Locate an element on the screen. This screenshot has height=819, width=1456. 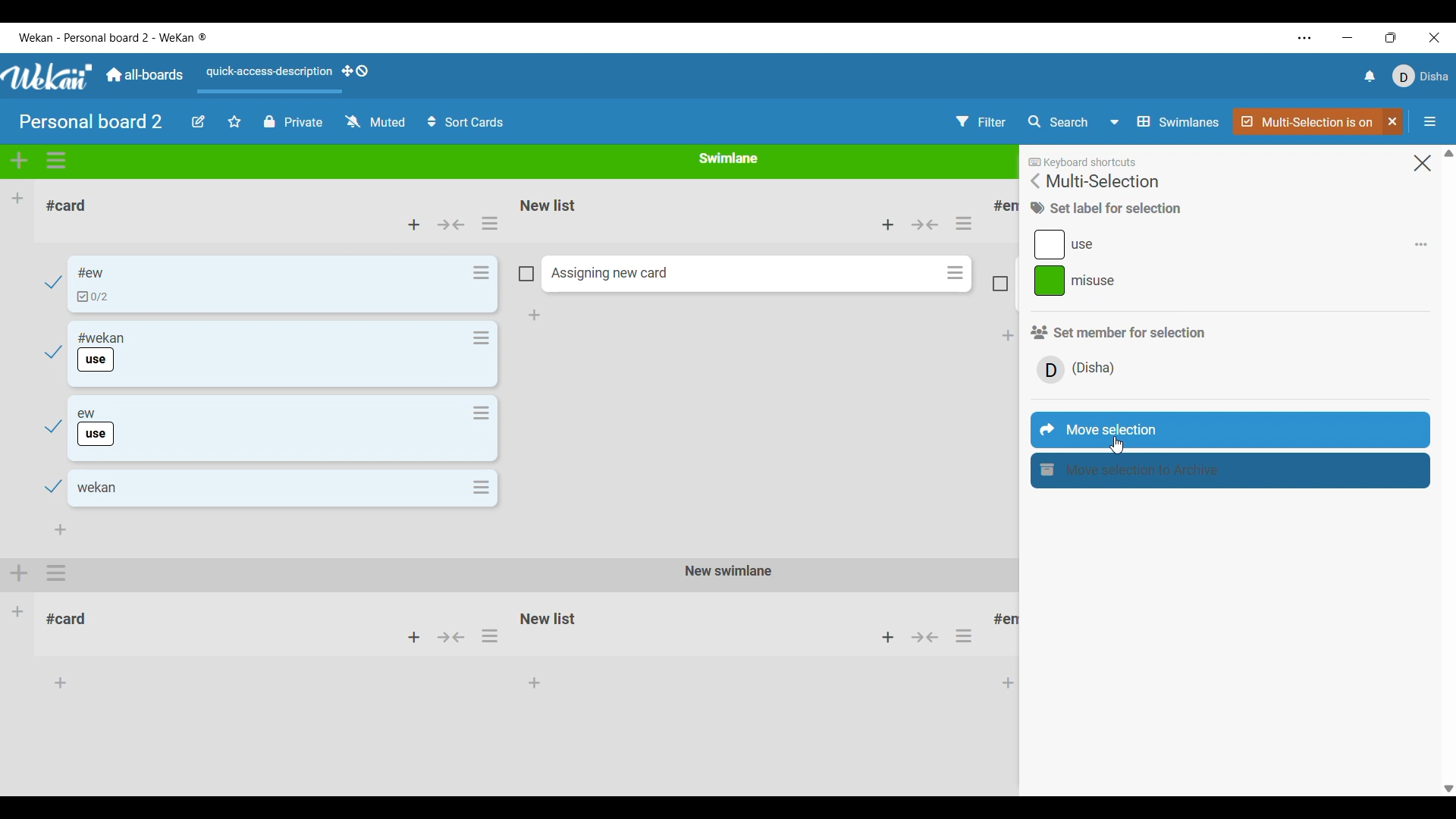
Add swimlane is located at coordinates (19, 161).